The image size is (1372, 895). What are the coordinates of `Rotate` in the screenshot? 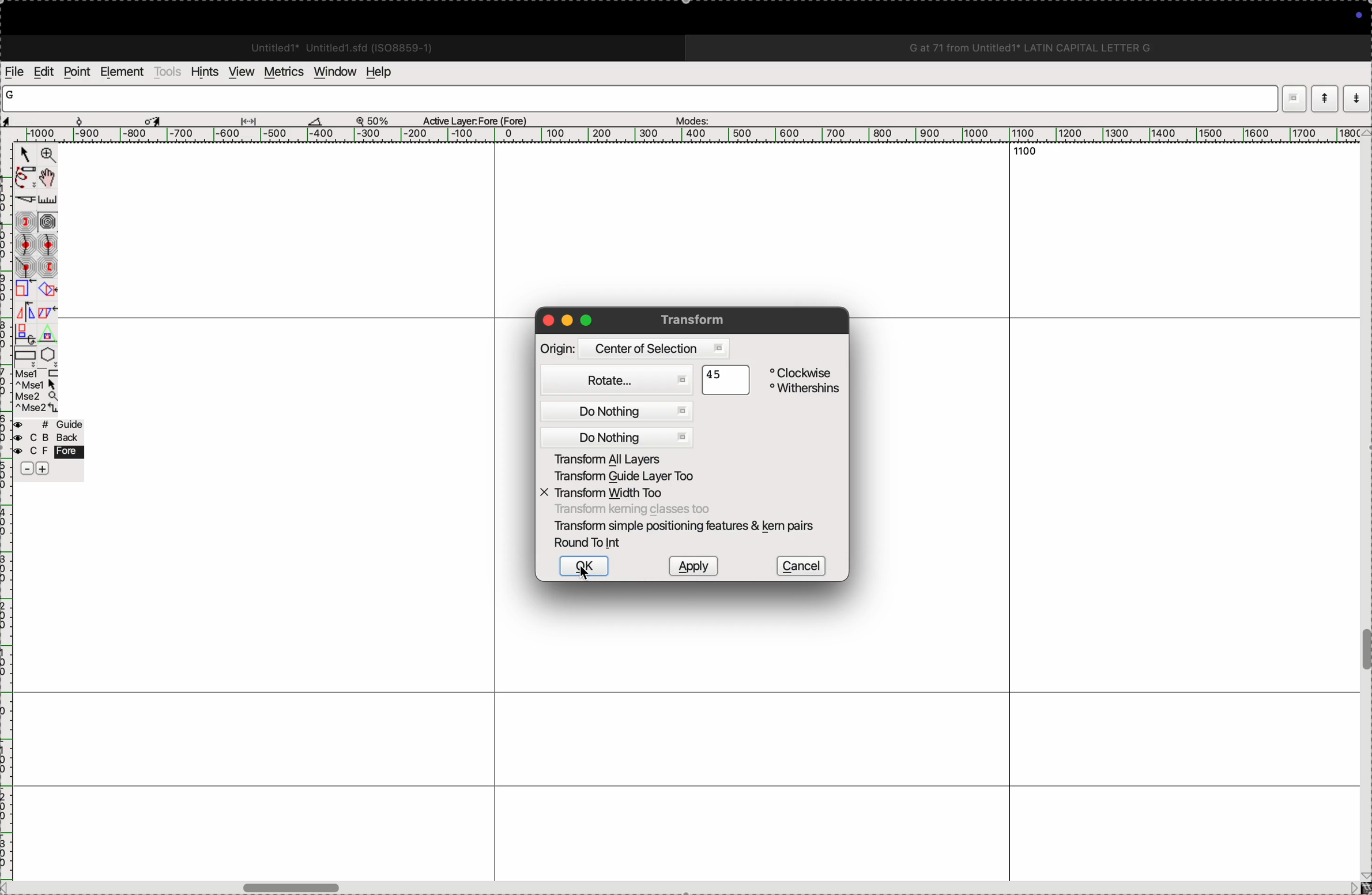 It's located at (616, 381).